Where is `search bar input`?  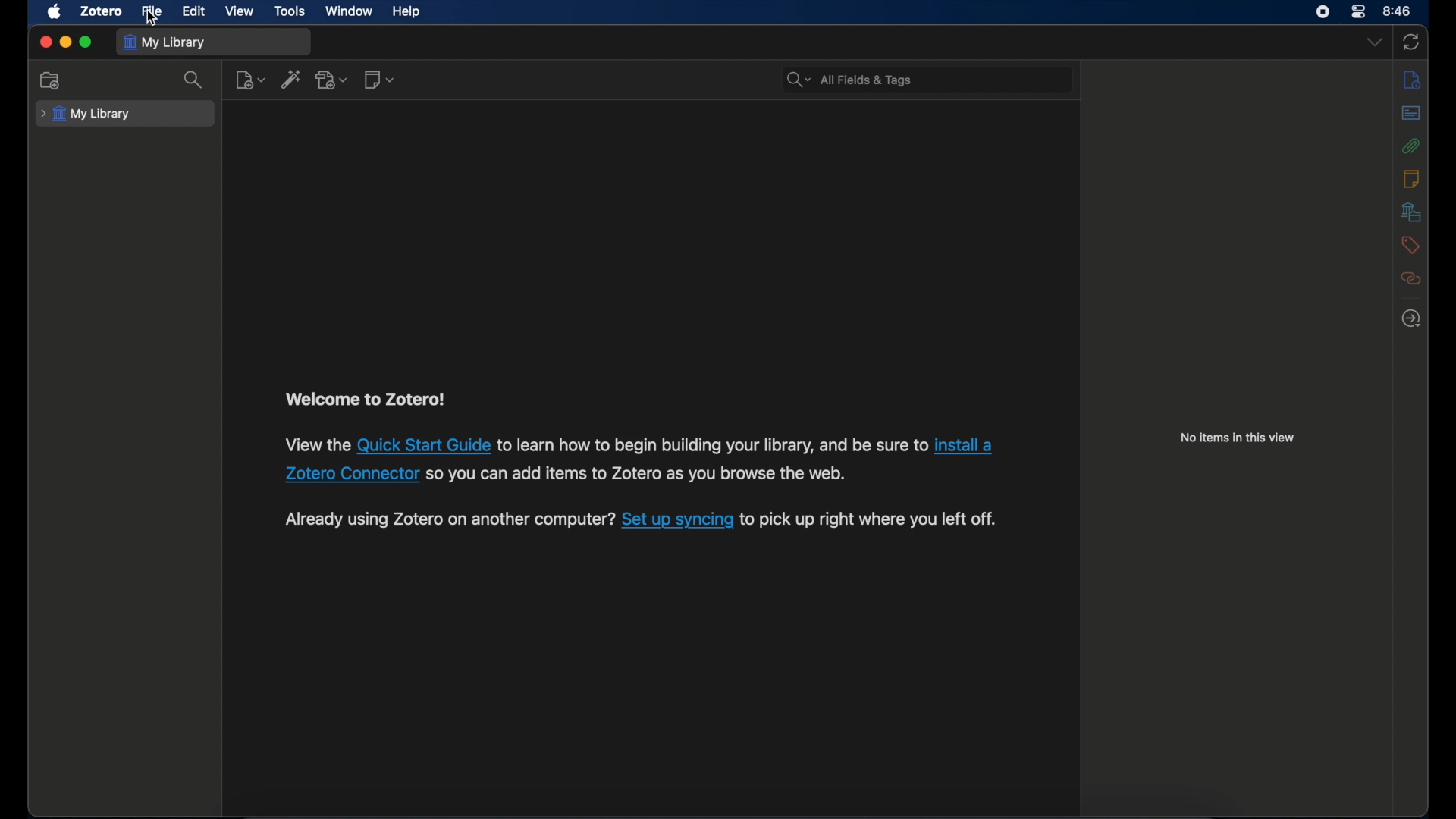 search bar input is located at coordinates (943, 79).